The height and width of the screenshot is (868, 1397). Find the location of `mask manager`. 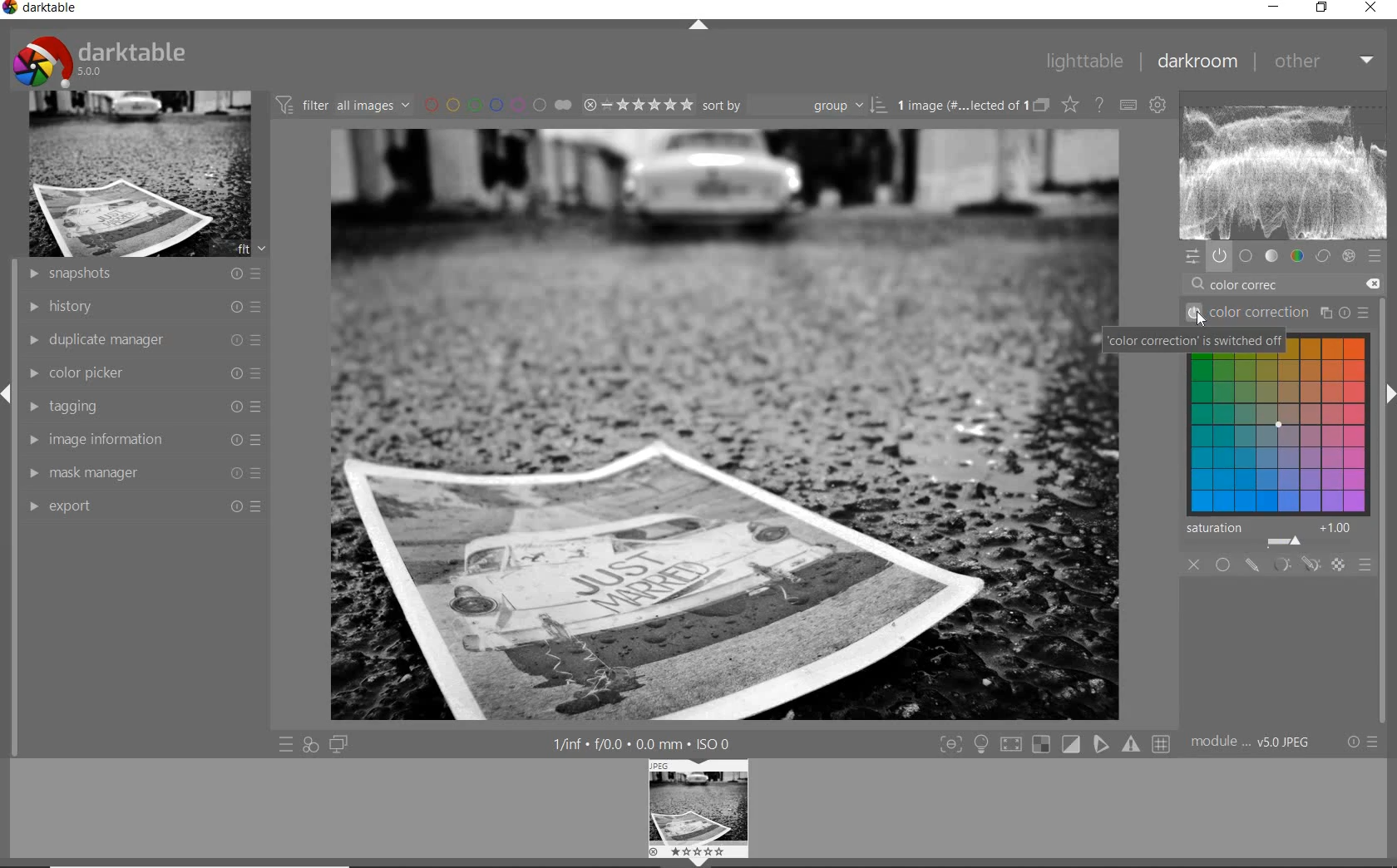

mask manager is located at coordinates (146, 471).